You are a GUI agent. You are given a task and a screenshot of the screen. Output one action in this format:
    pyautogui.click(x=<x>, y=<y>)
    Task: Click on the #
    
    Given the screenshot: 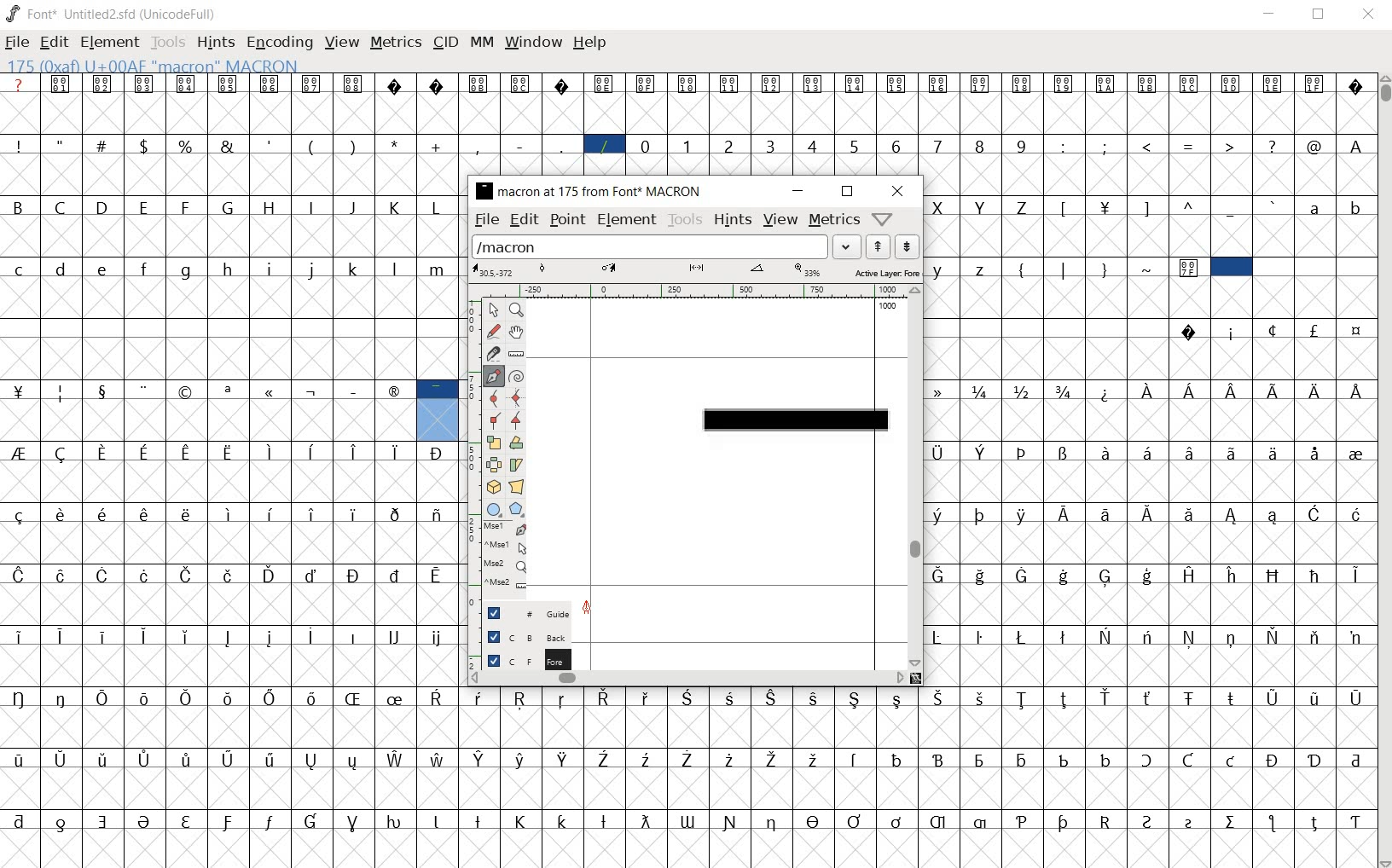 What is the action you would take?
    pyautogui.click(x=104, y=145)
    